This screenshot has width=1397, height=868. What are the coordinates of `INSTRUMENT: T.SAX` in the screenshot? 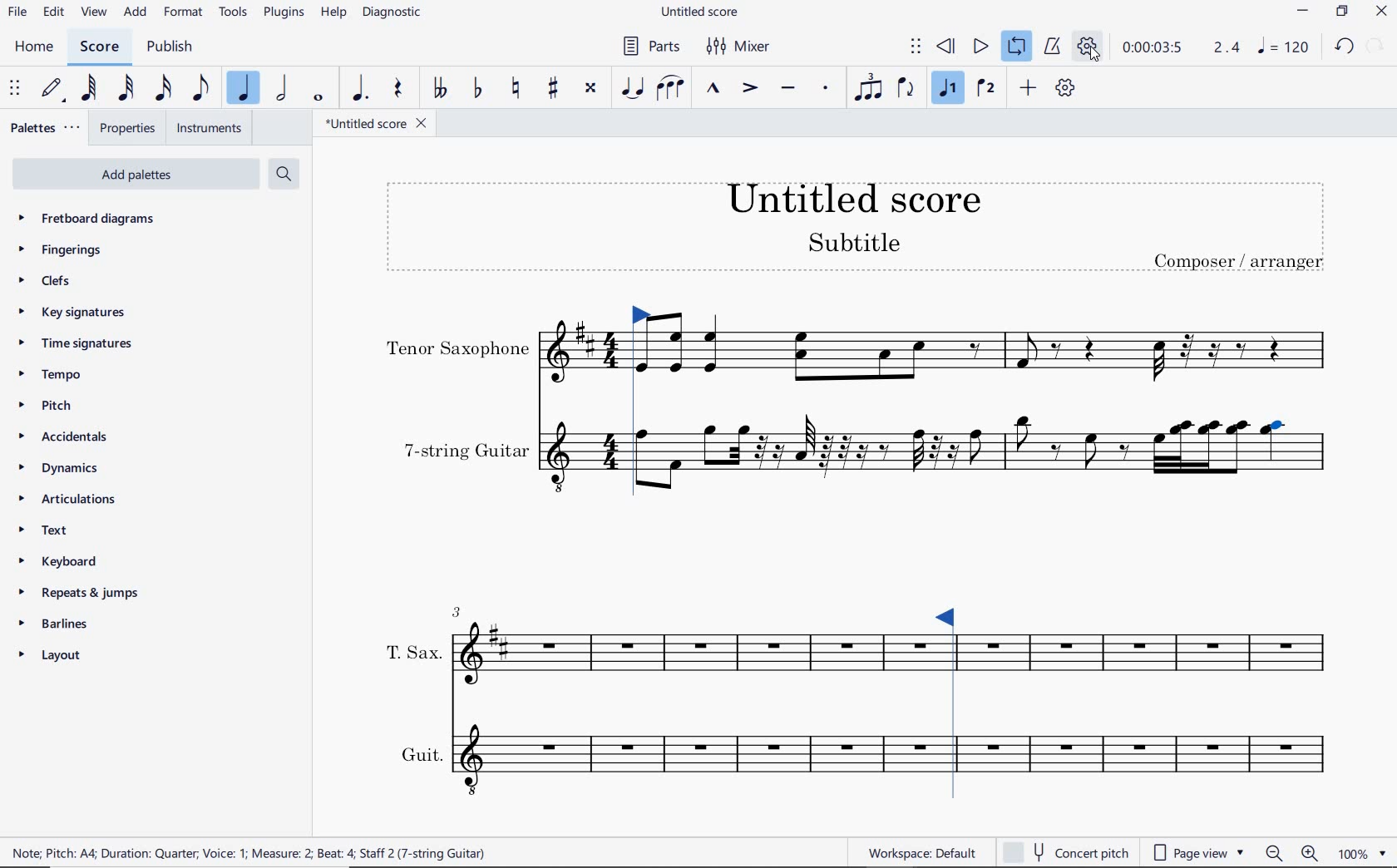 It's located at (641, 639).